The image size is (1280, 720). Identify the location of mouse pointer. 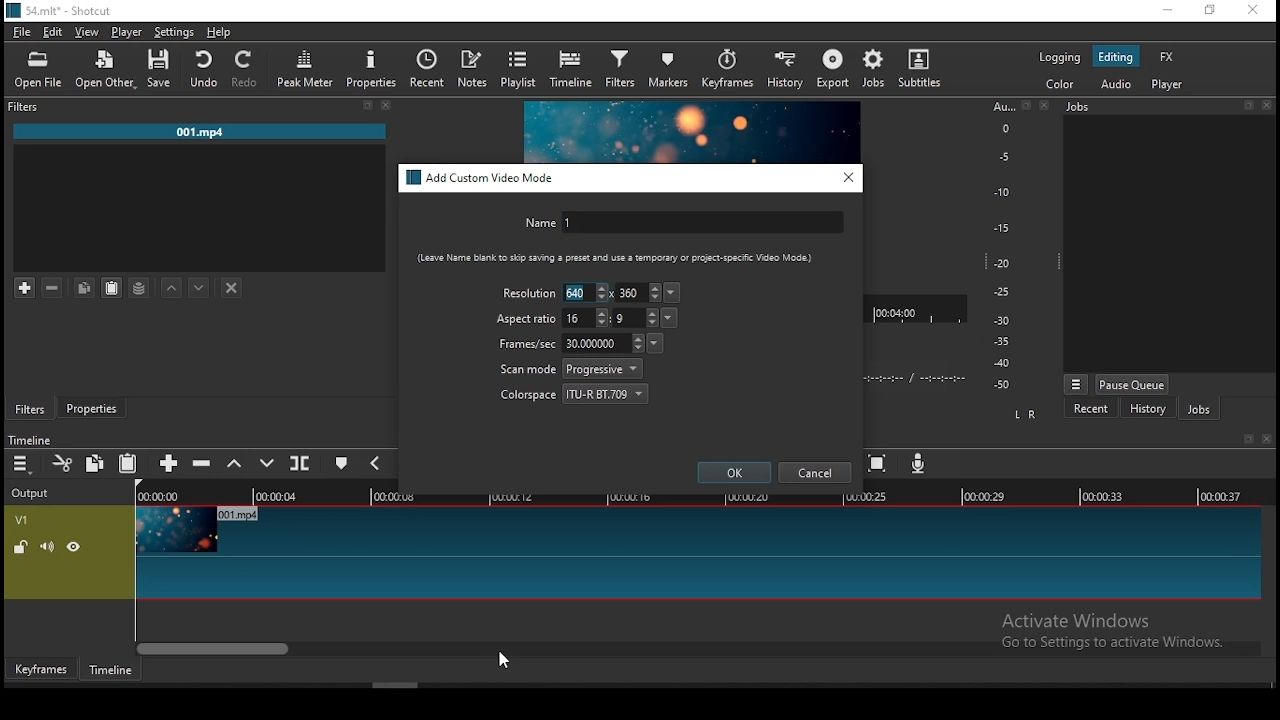
(500, 660).